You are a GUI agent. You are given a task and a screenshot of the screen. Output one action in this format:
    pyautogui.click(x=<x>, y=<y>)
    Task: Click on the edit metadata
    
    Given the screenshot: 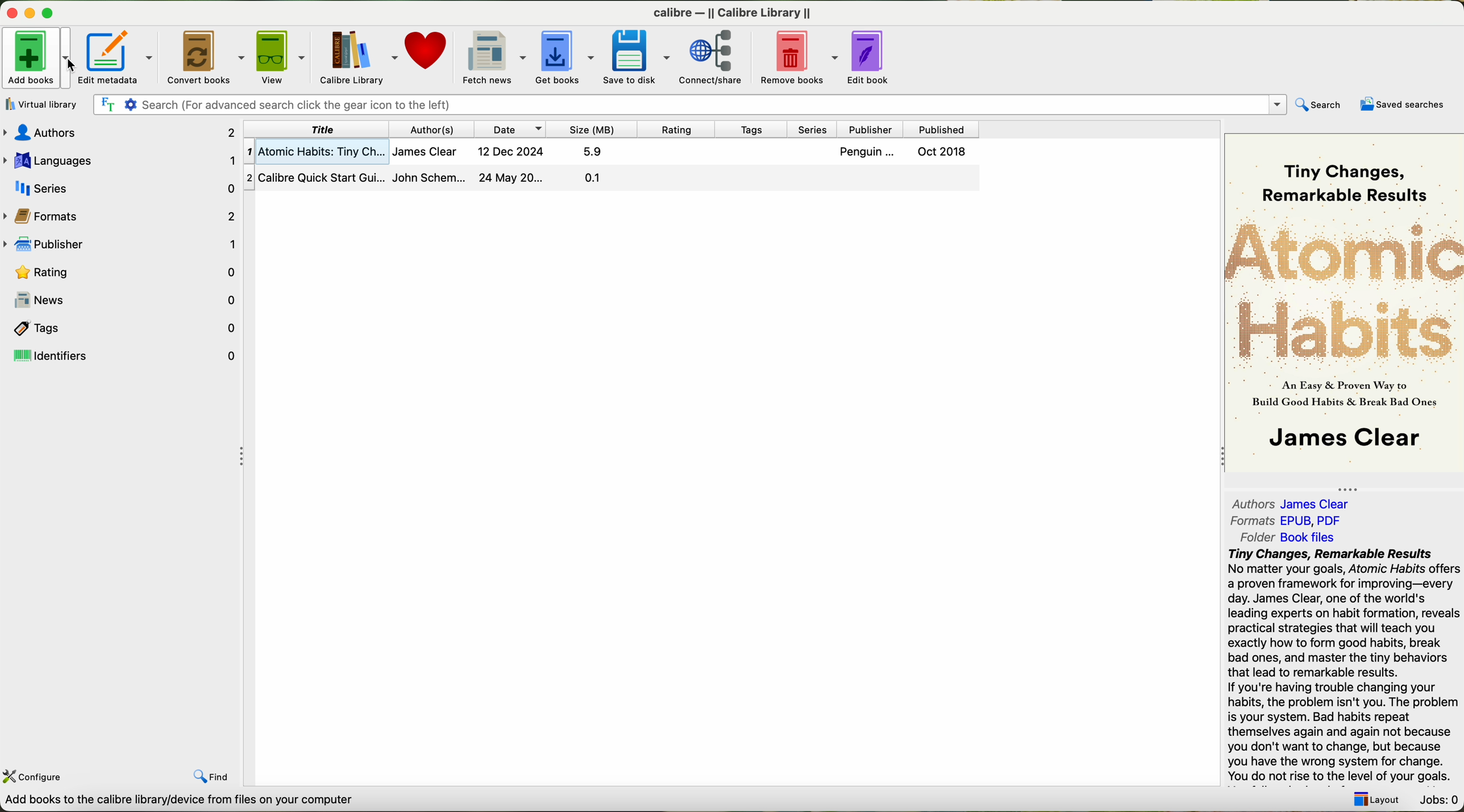 What is the action you would take?
    pyautogui.click(x=117, y=57)
    